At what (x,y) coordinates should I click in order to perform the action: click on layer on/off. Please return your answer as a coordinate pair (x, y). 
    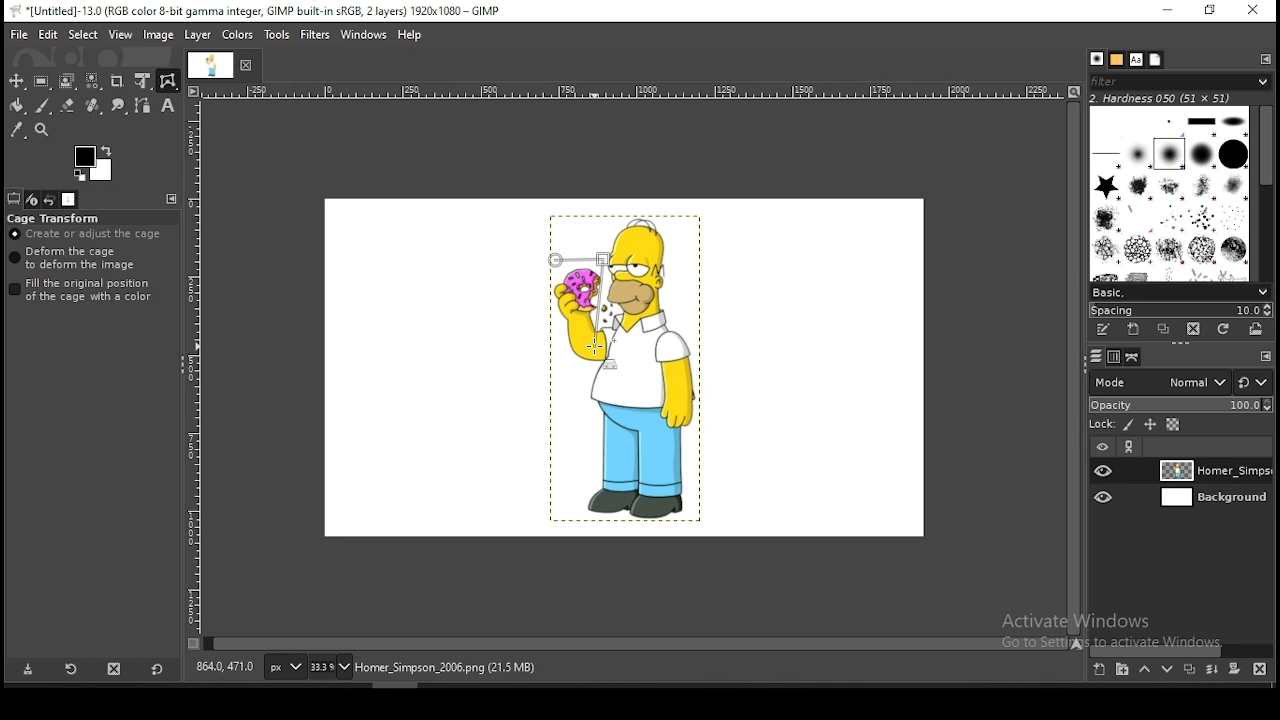
    Looking at the image, I should click on (1102, 446).